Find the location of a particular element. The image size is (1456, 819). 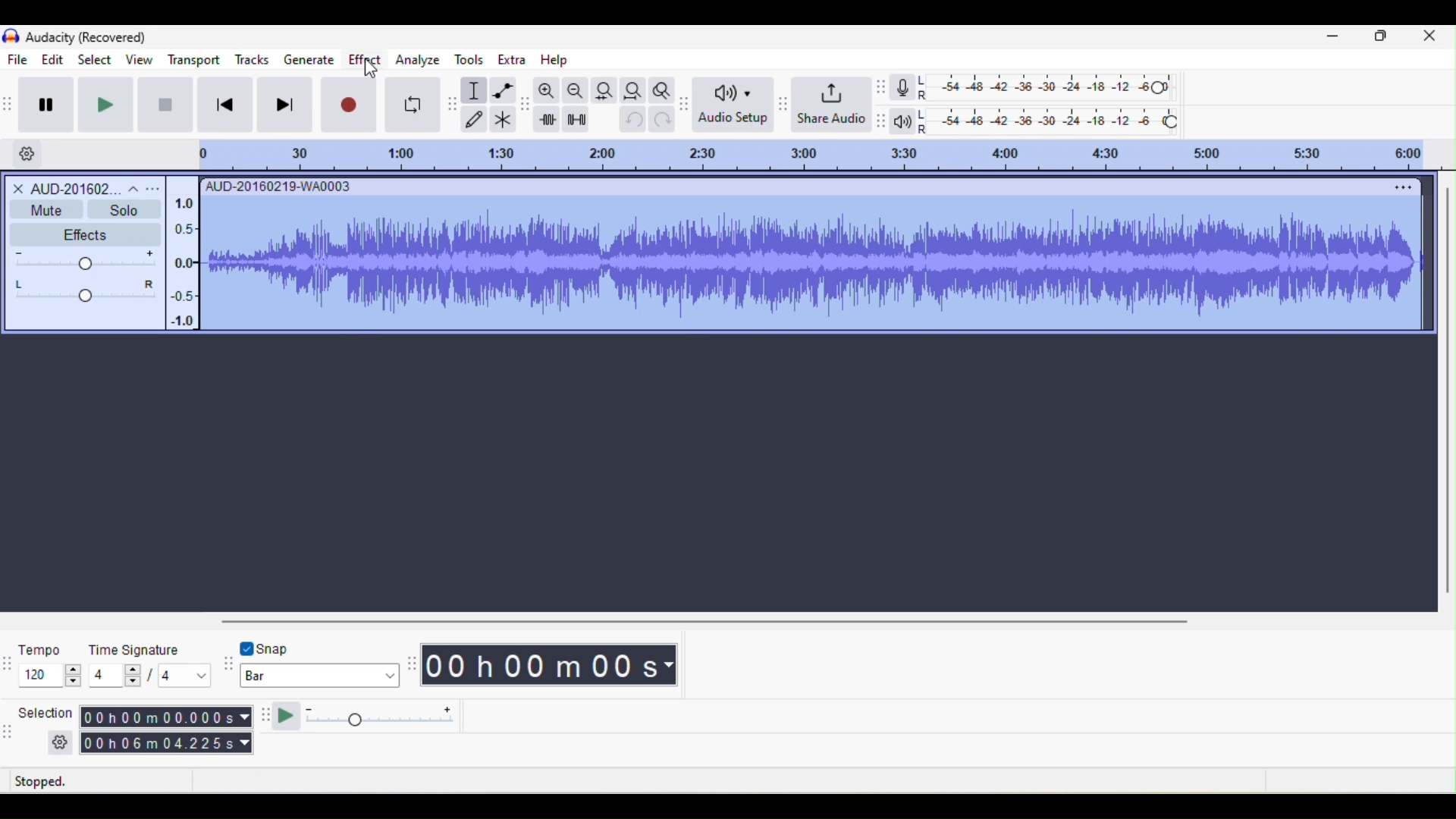

effect is located at coordinates (365, 59).